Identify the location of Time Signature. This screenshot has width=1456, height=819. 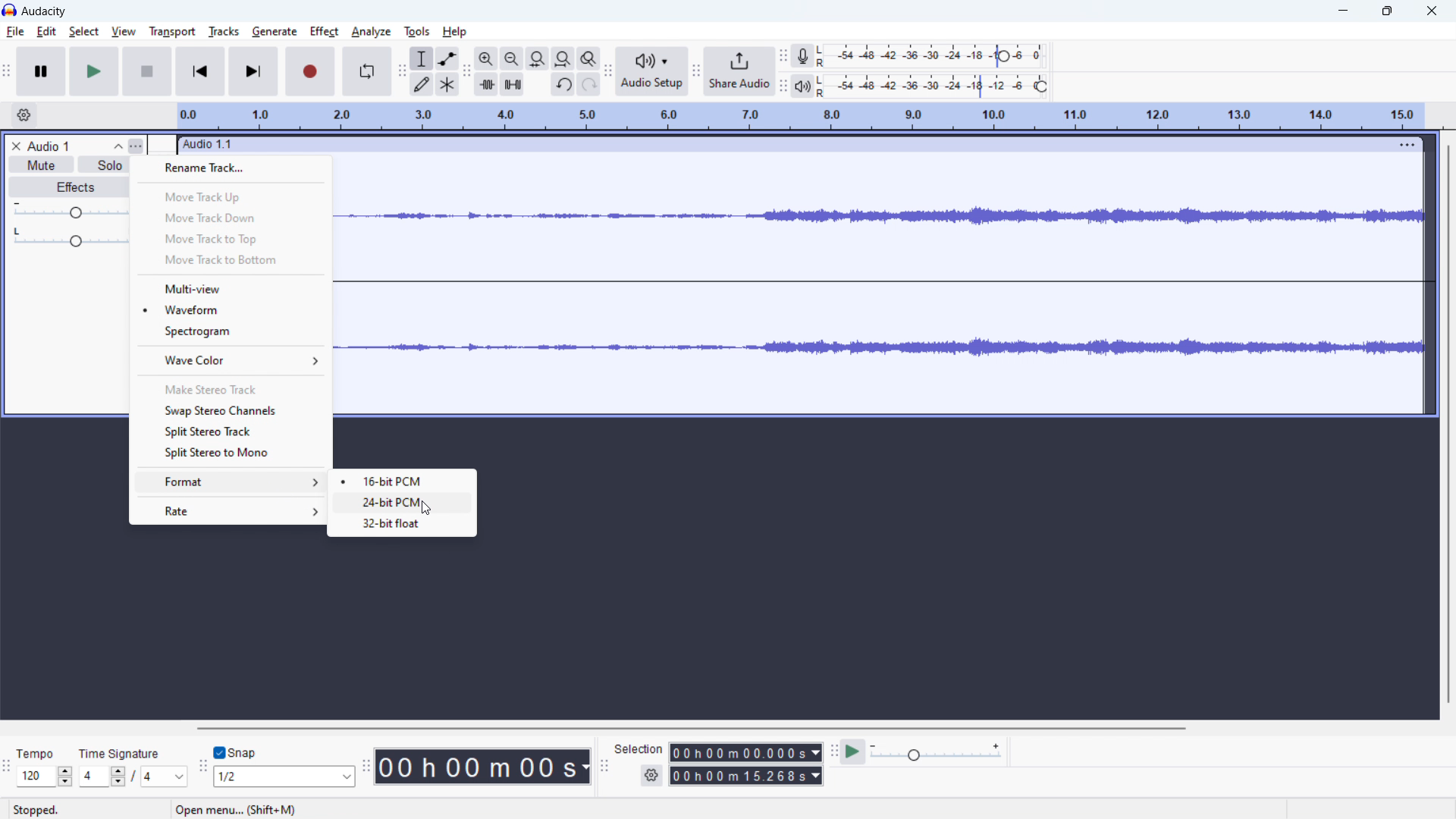
(124, 750).